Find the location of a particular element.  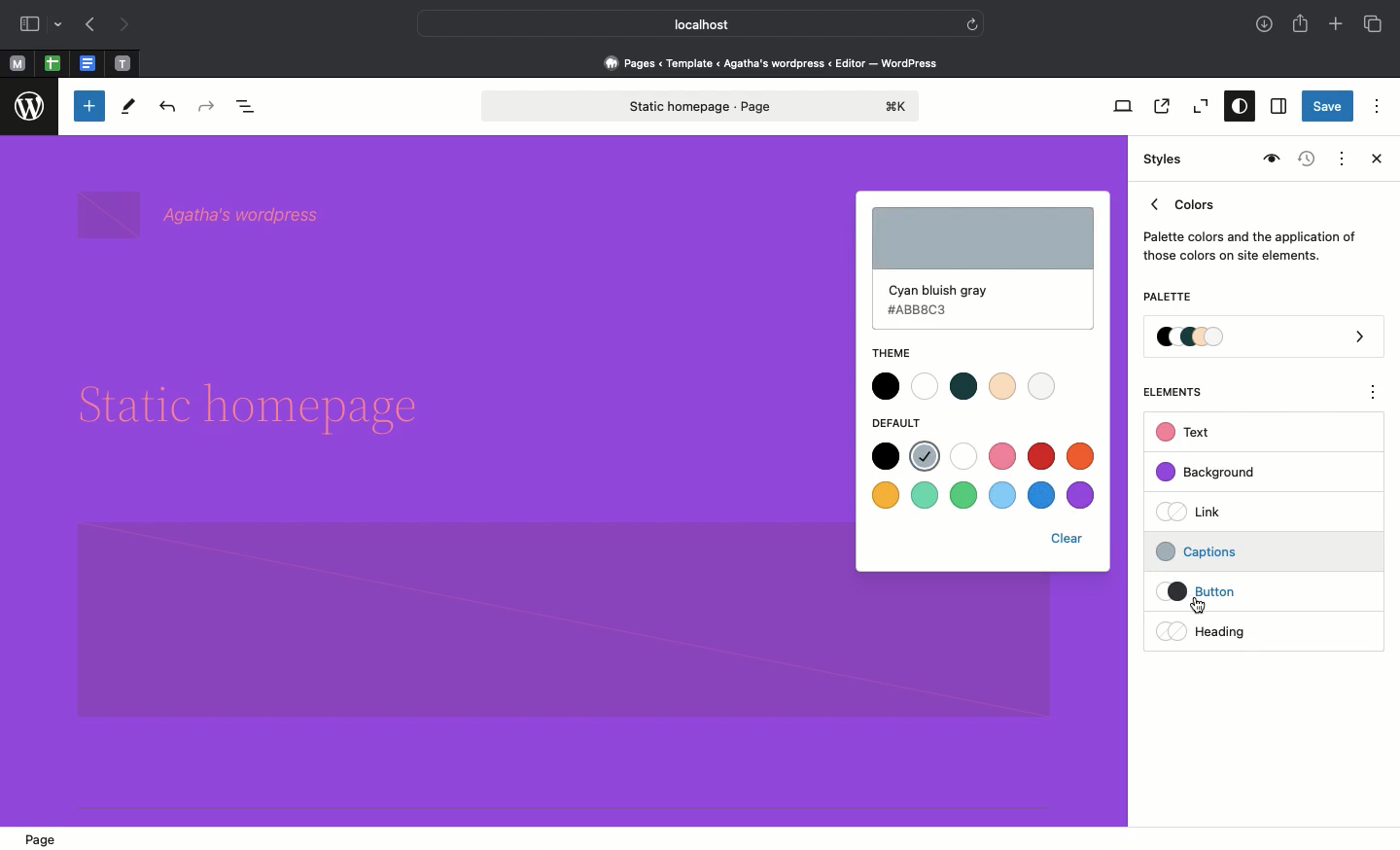

Text is located at coordinates (1186, 433).